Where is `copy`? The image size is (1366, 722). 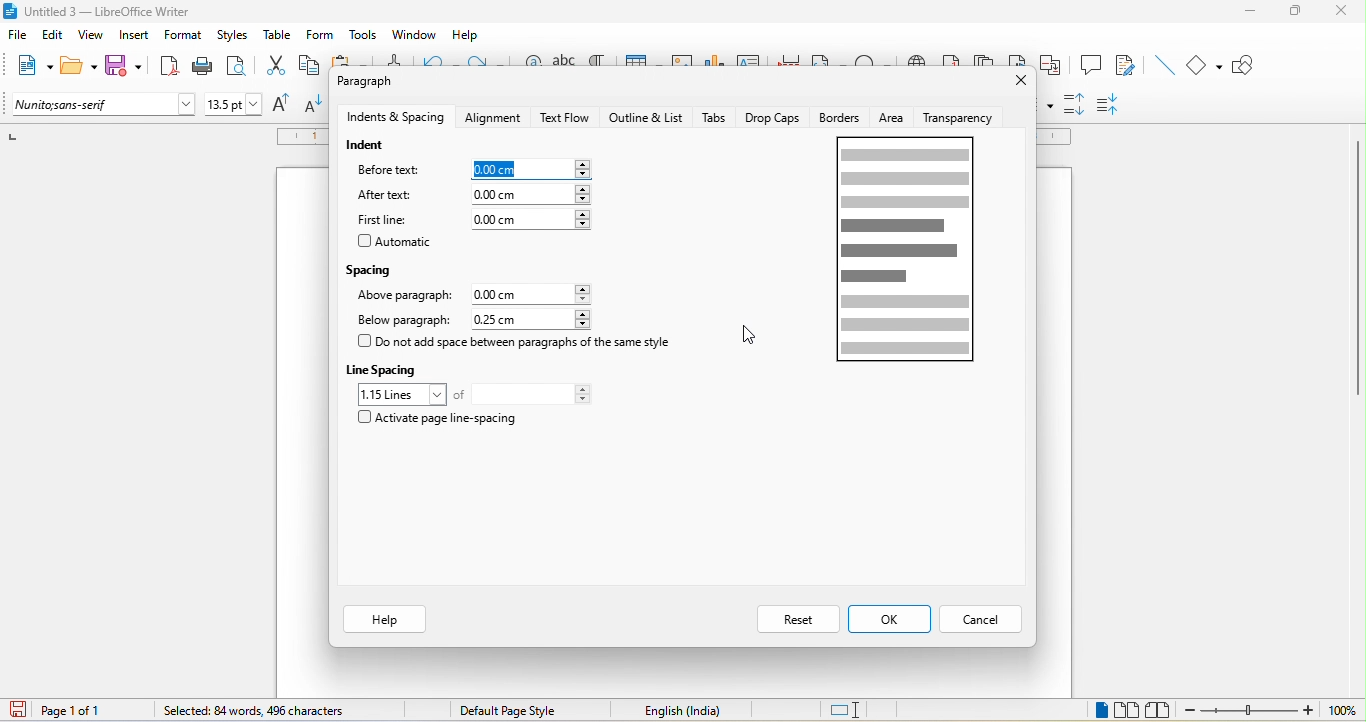
copy is located at coordinates (310, 67).